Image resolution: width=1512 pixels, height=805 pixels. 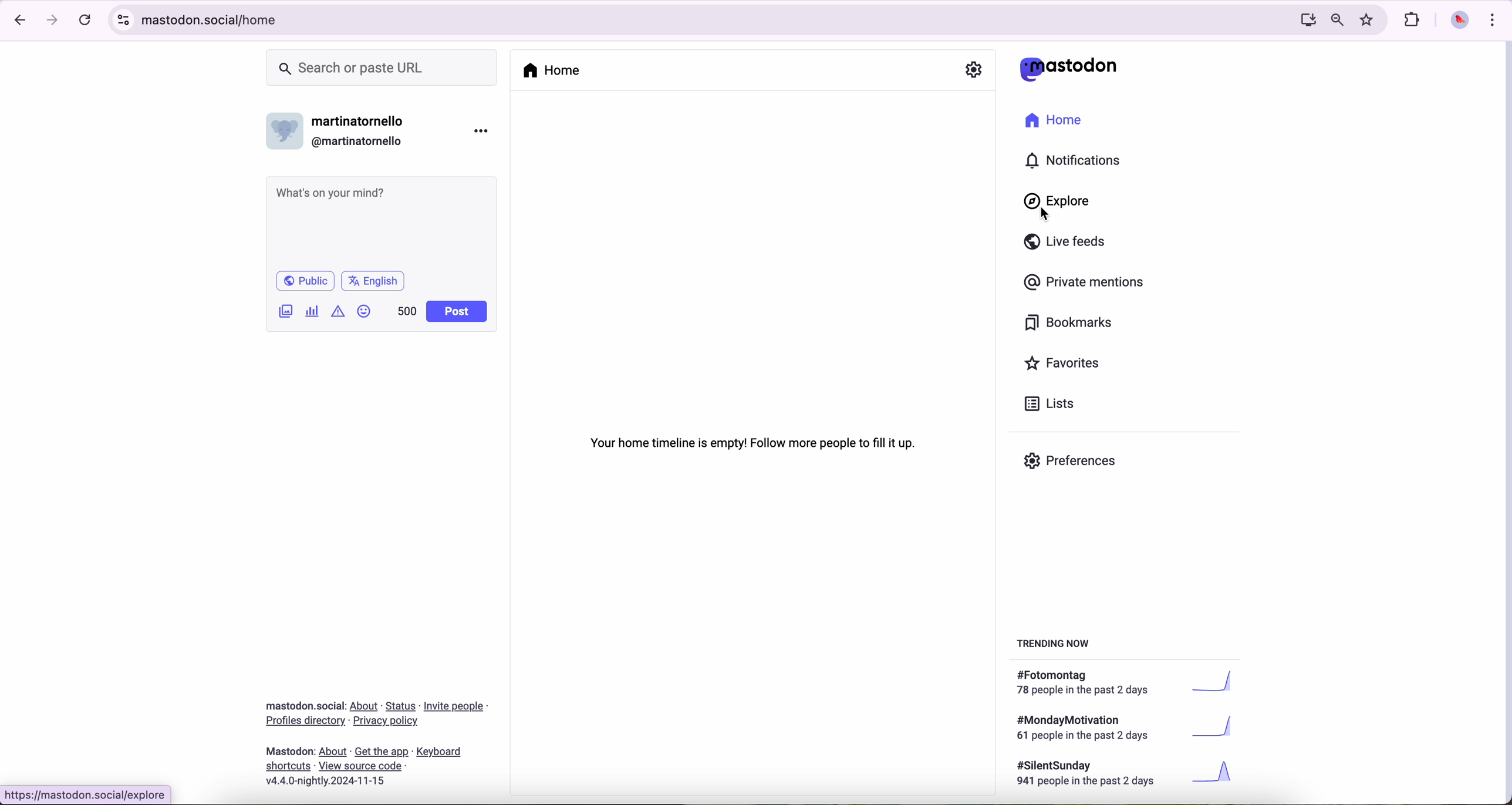 I want to click on bookmarks, so click(x=1069, y=325).